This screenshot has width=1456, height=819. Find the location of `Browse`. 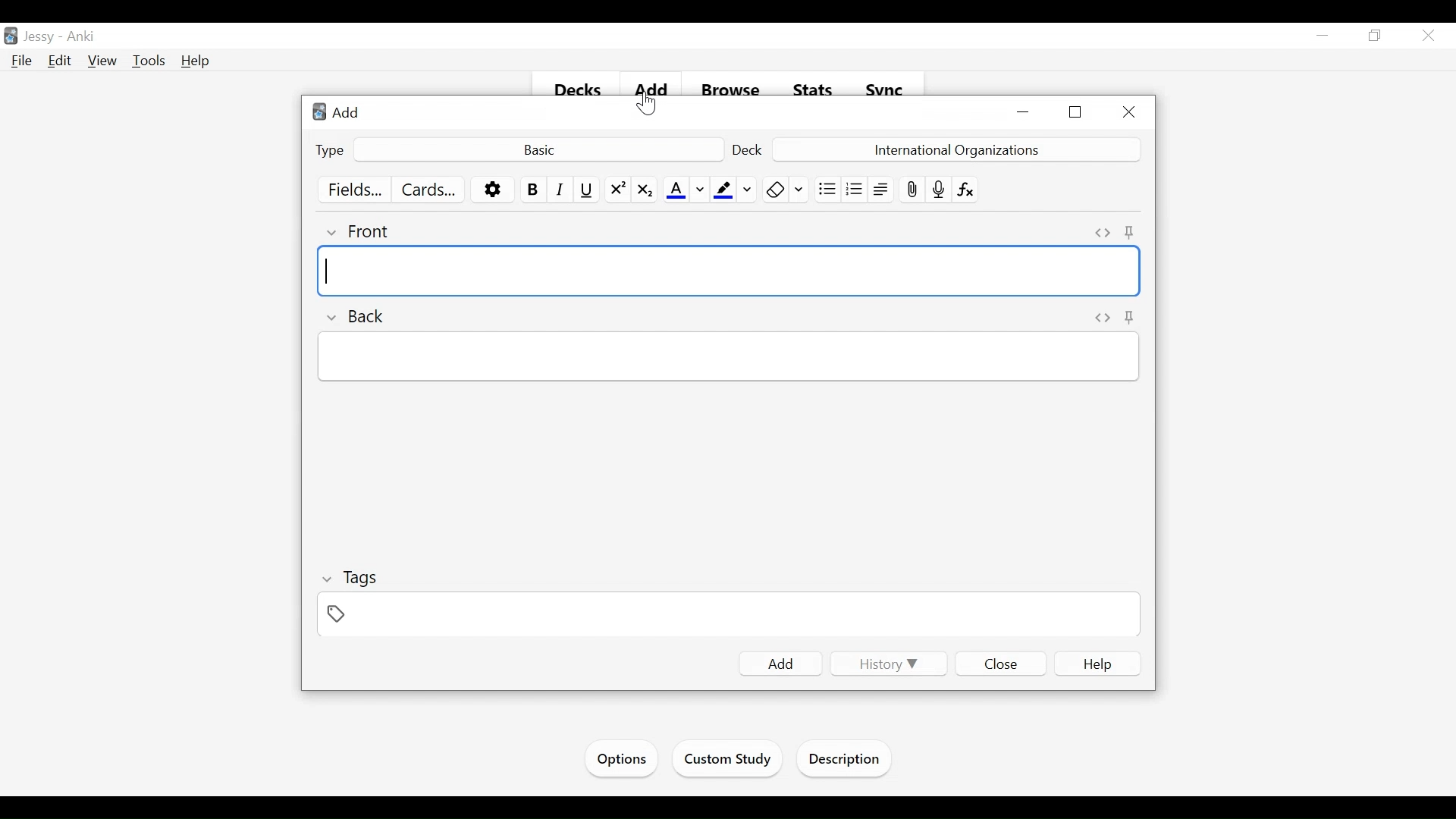

Browse is located at coordinates (724, 86).